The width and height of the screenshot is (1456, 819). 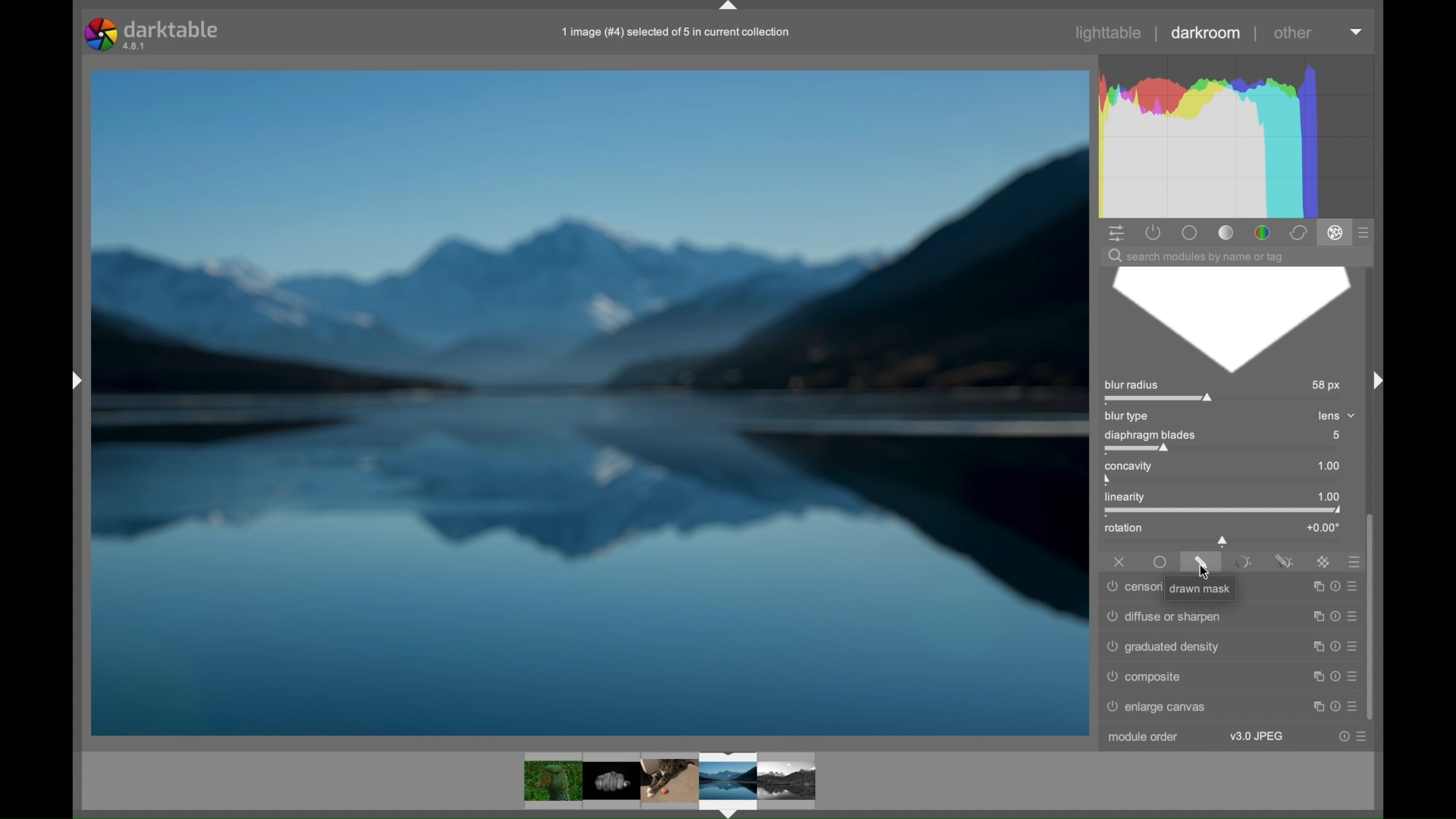 What do you see at coordinates (1161, 391) in the screenshot?
I see `blur radius` at bounding box center [1161, 391].